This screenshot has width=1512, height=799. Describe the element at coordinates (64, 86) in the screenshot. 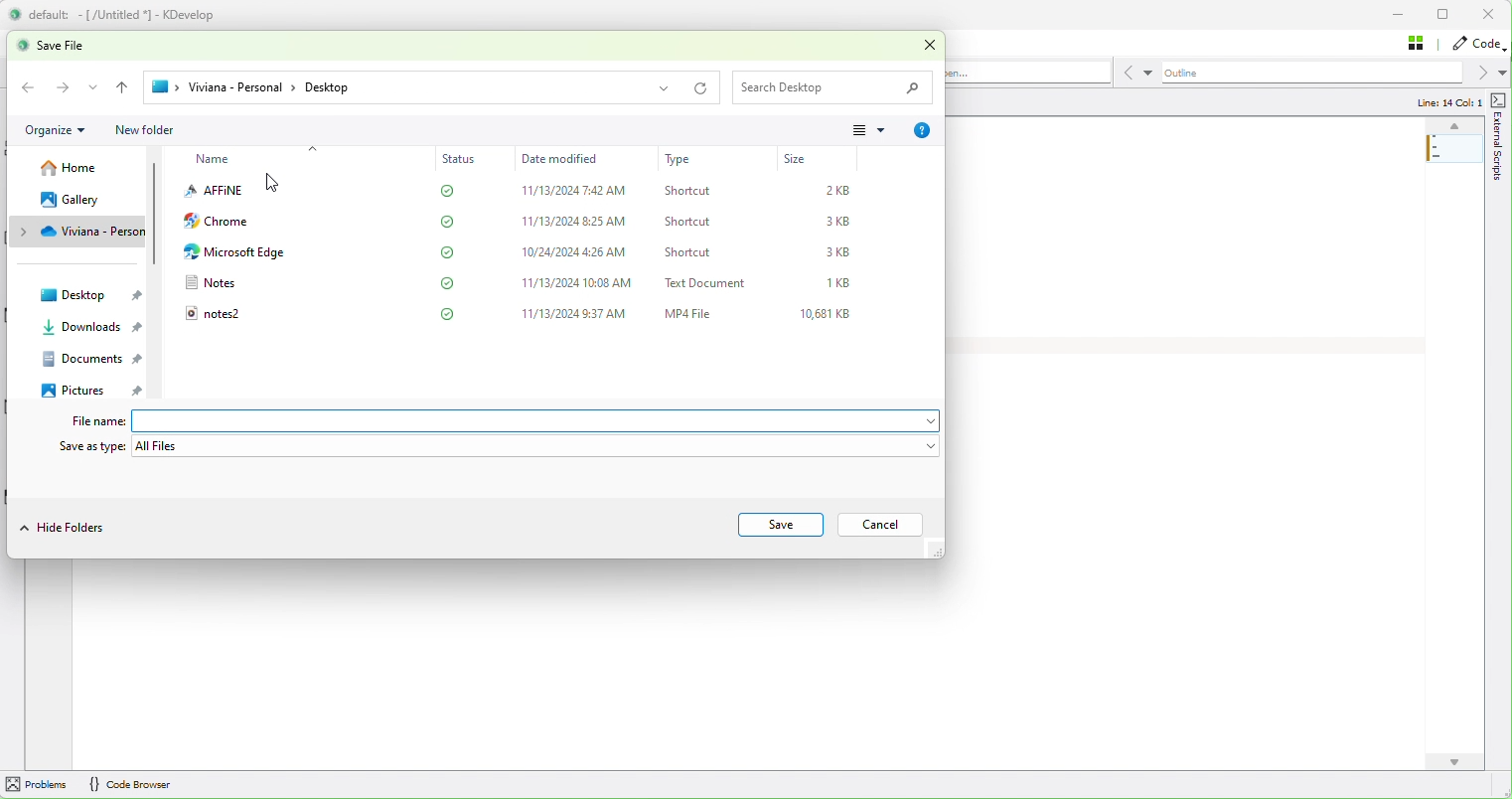

I see `Forward` at that location.